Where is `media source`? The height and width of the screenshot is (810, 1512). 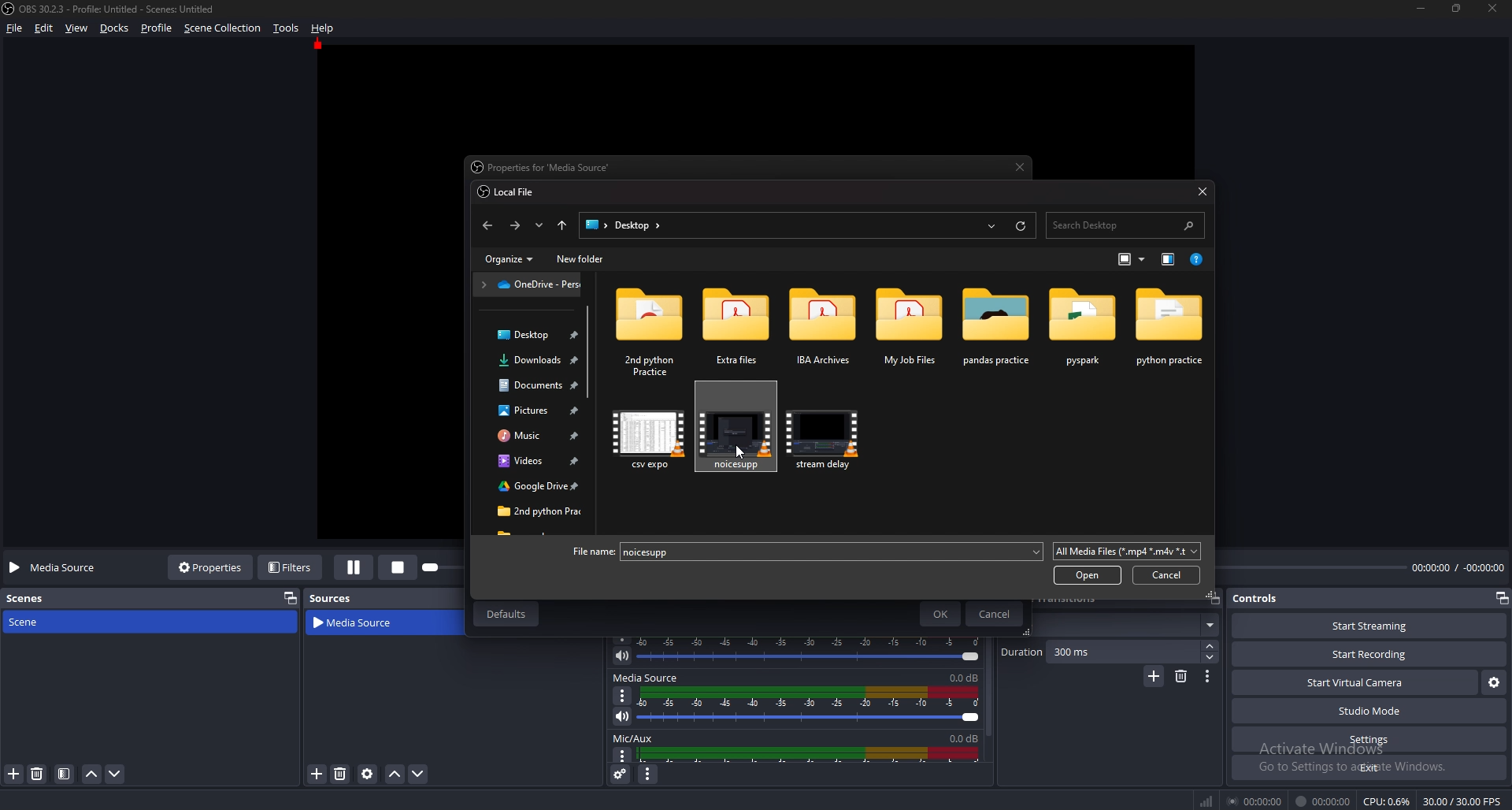 media source is located at coordinates (364, 623).